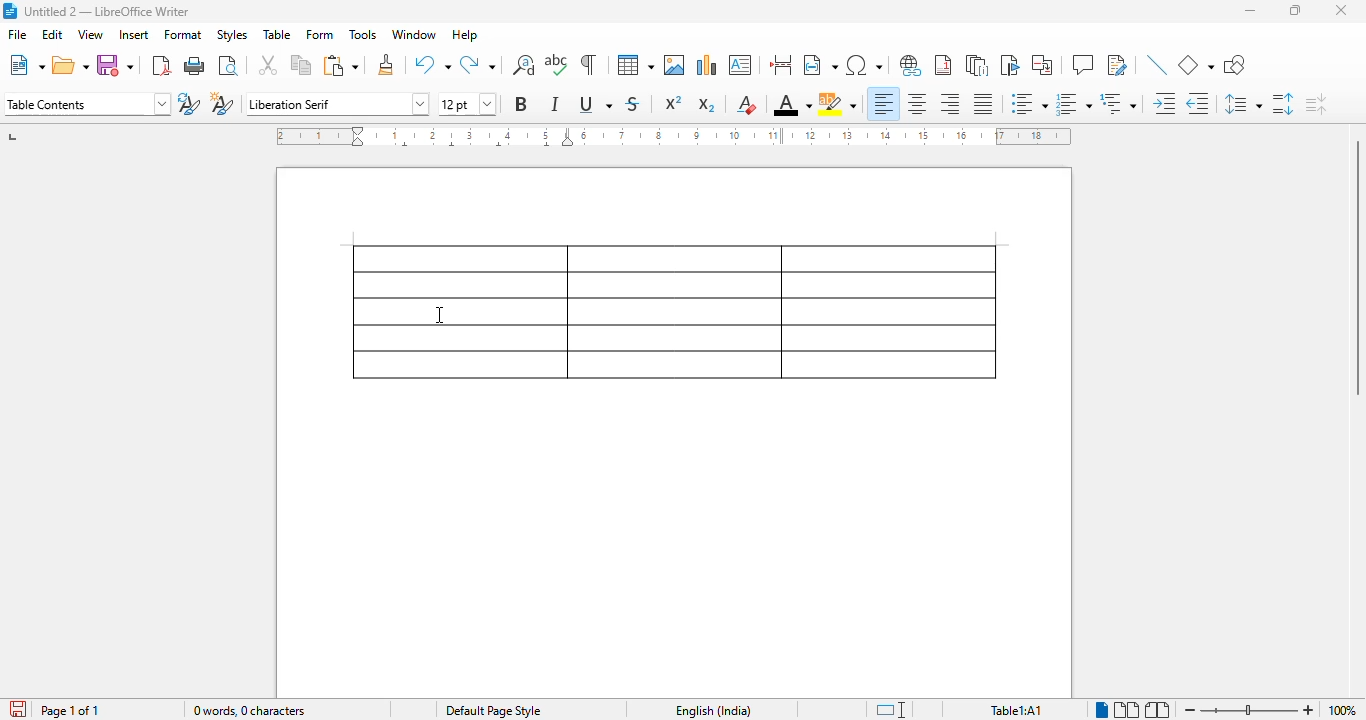  I want to click on insert comment, so click(1083, 65).